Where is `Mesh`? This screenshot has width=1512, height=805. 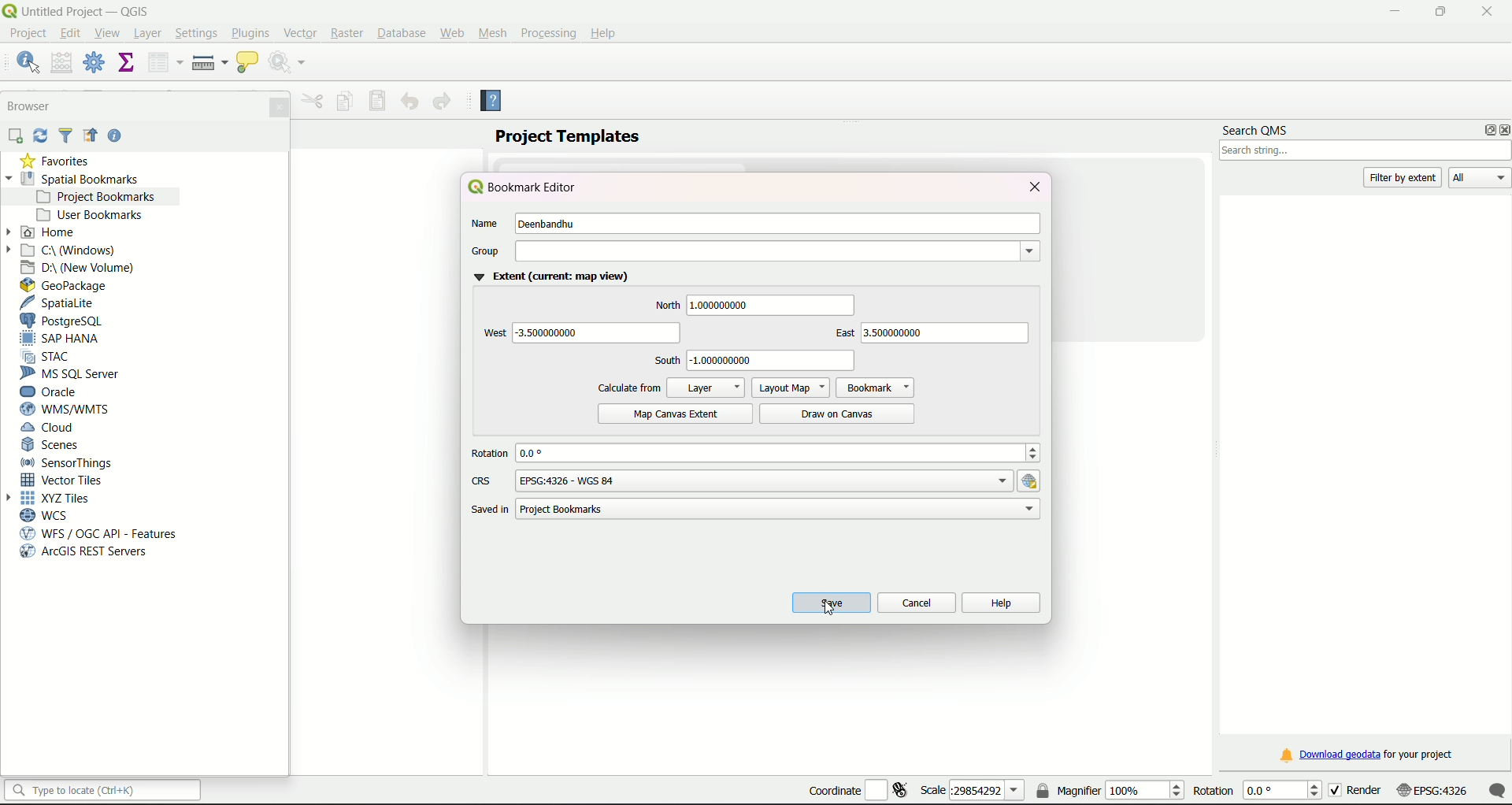
Mesh is located at coordinates (493, 33).